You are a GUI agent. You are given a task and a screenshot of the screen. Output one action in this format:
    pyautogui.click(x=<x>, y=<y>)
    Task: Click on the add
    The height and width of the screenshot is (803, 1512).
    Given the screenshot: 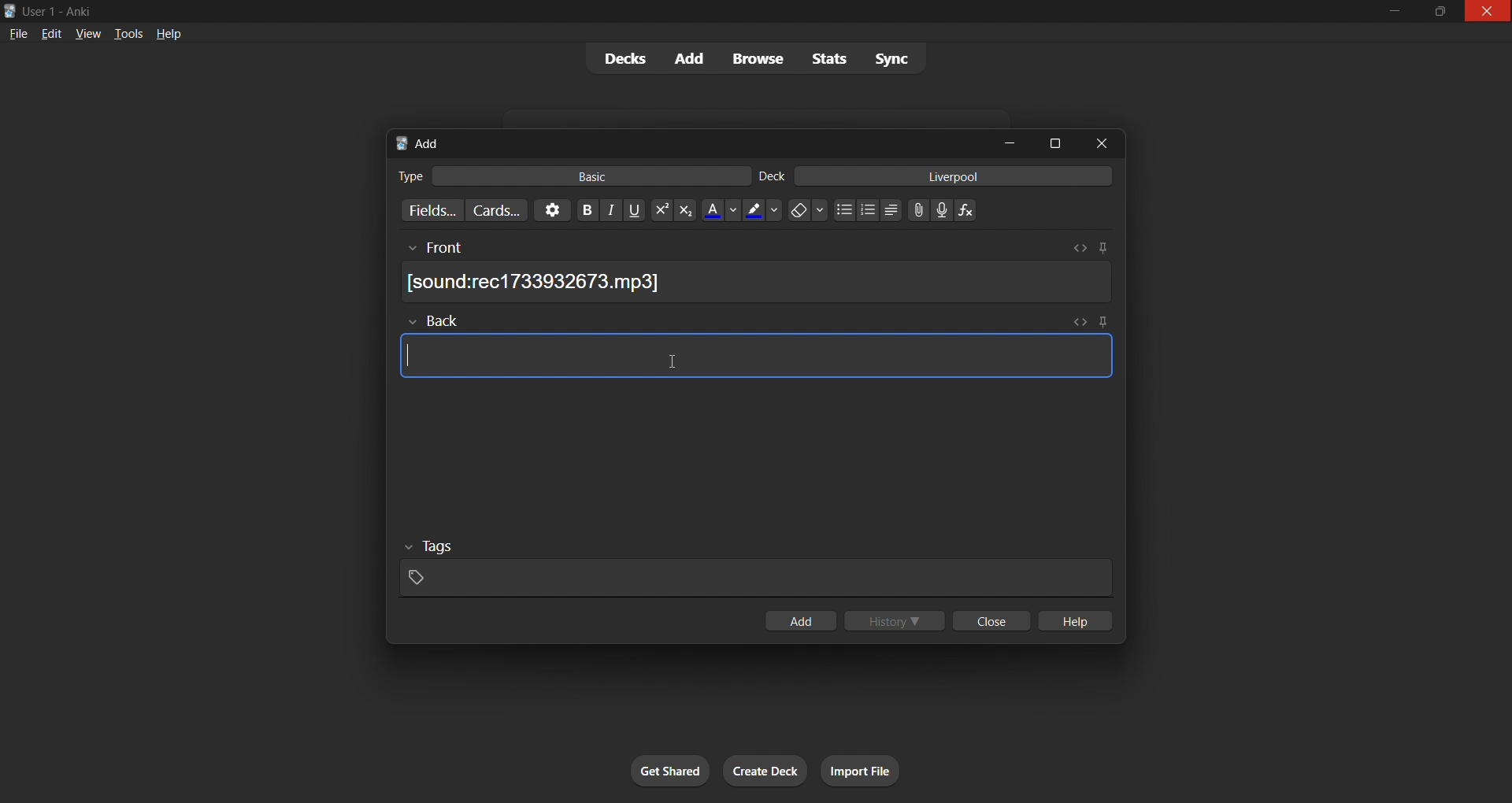 What is the action you would take?
    pyautogui.click(x=799, y=619)
    